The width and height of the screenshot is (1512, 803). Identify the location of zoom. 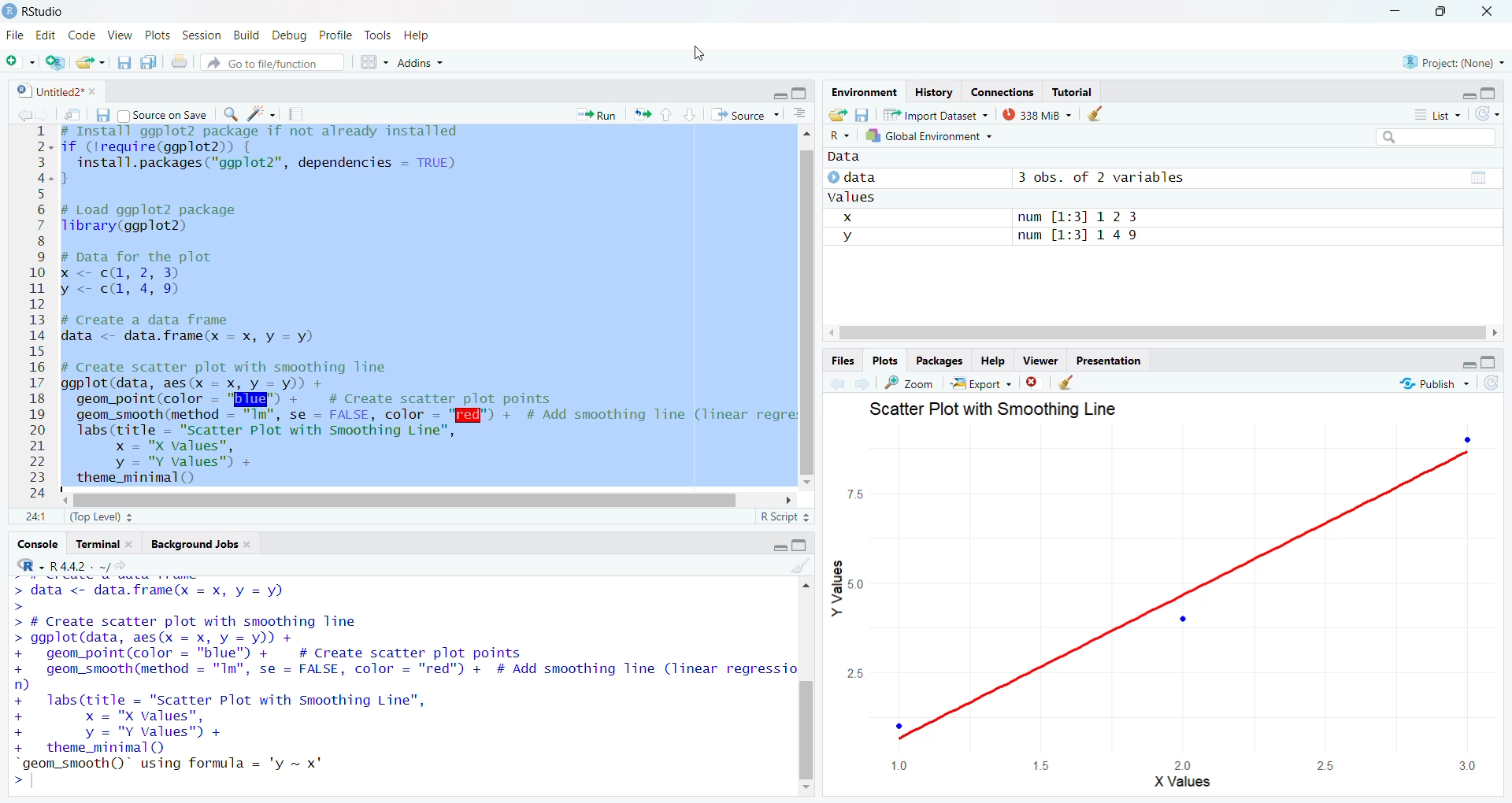
(910, 383).